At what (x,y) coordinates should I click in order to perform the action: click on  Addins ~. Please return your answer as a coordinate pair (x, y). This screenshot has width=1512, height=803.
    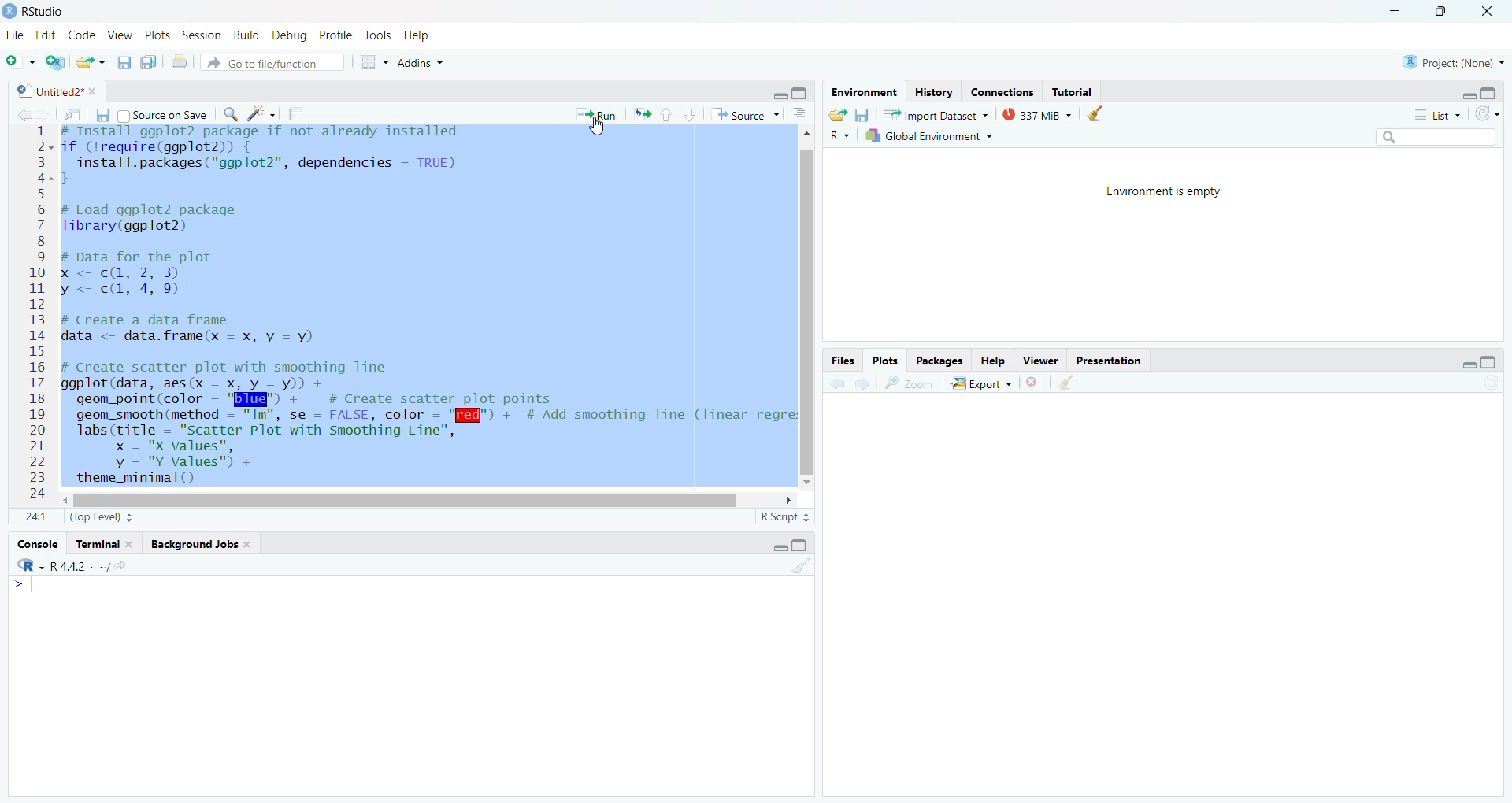
    Looking at the image, I should click on (424, 63).